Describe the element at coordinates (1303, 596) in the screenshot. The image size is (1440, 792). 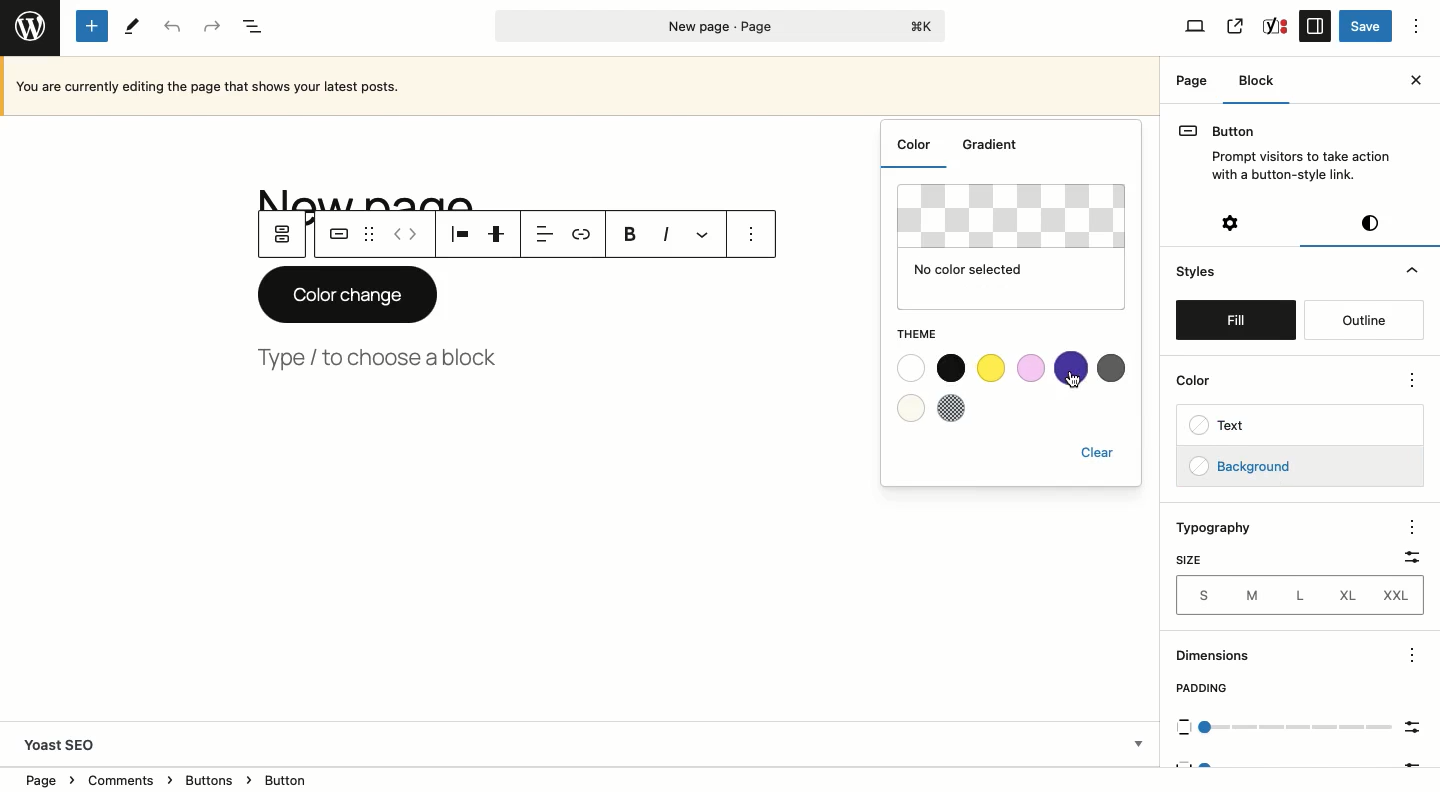
I see `L` at that location.